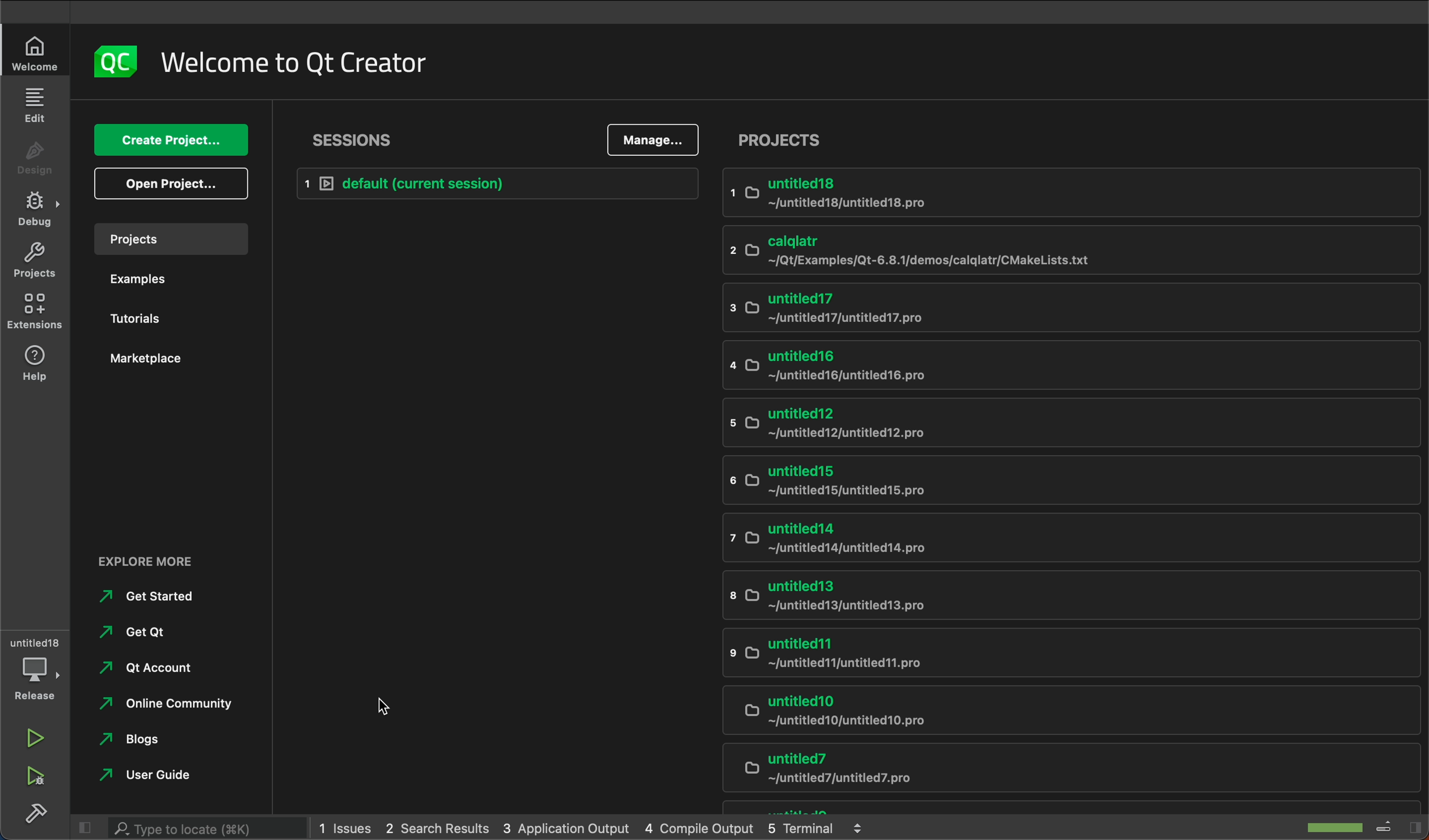 This screenshot has width=1429, height=840. What do you see at coordinates (597, 826) in the screenshot?
I see `logs` at bounding box center [597, 826].